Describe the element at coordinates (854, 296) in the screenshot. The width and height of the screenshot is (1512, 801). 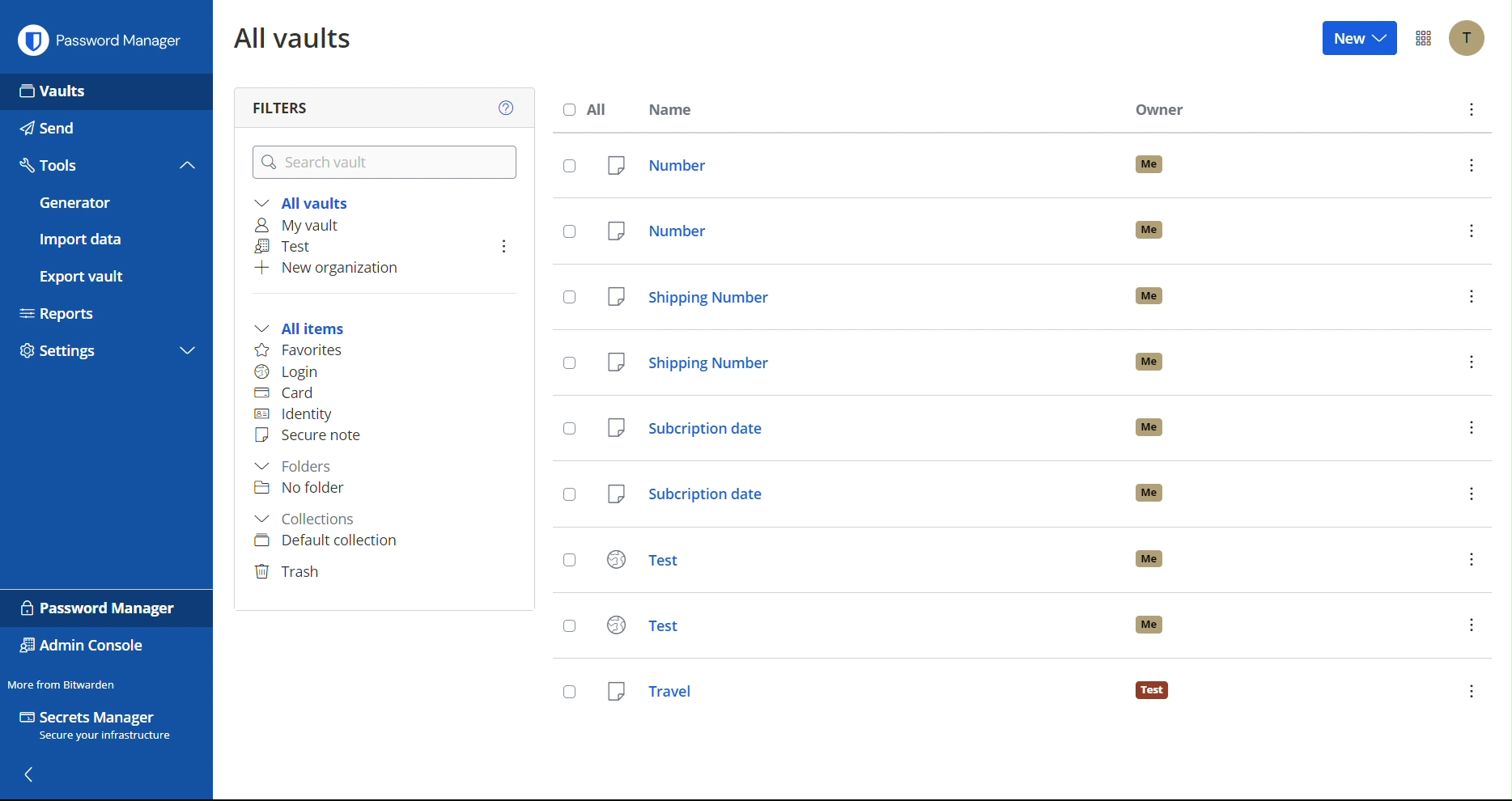
I see `shipping number` at that location.